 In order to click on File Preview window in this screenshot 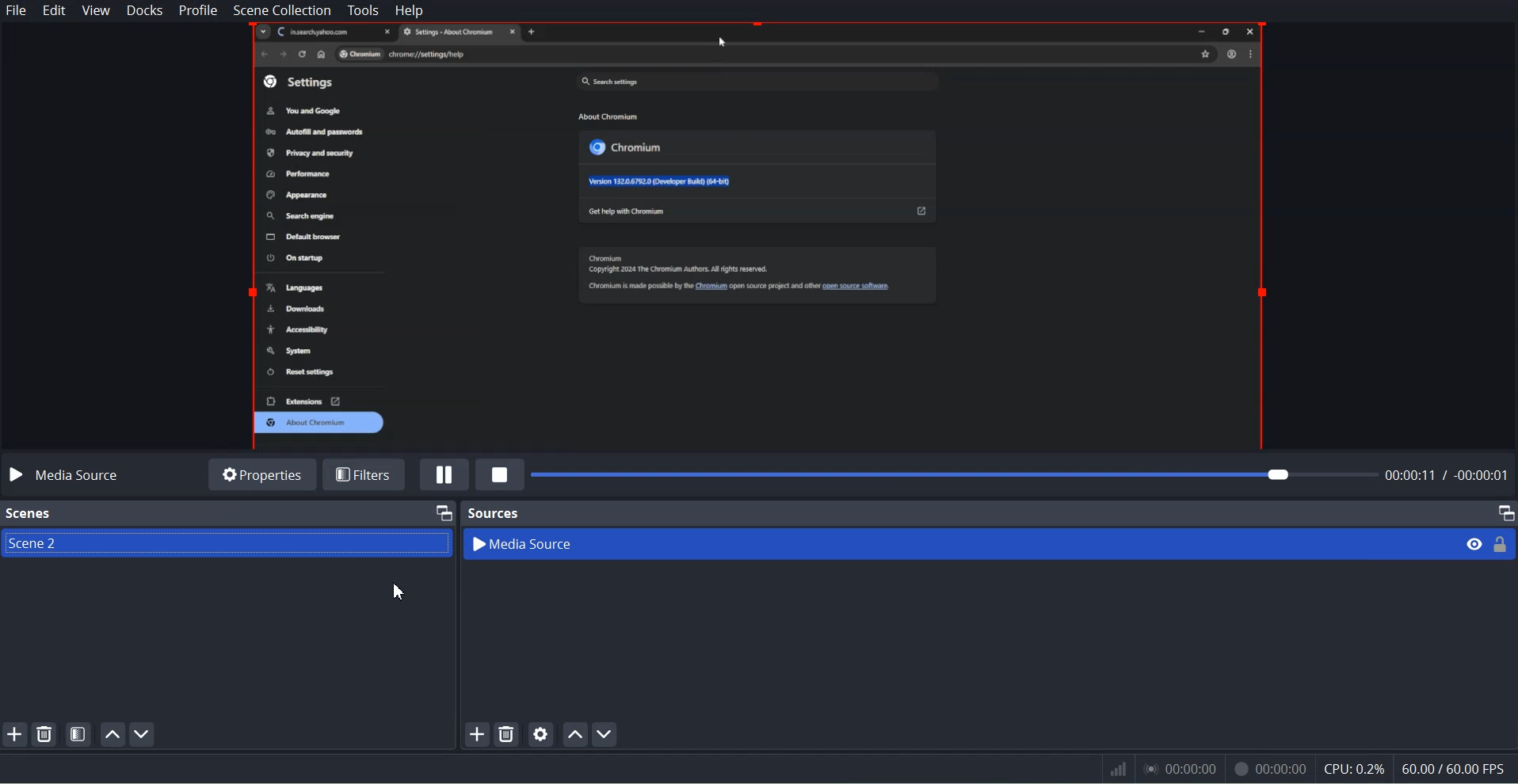, I will do `click(762, 235)`.